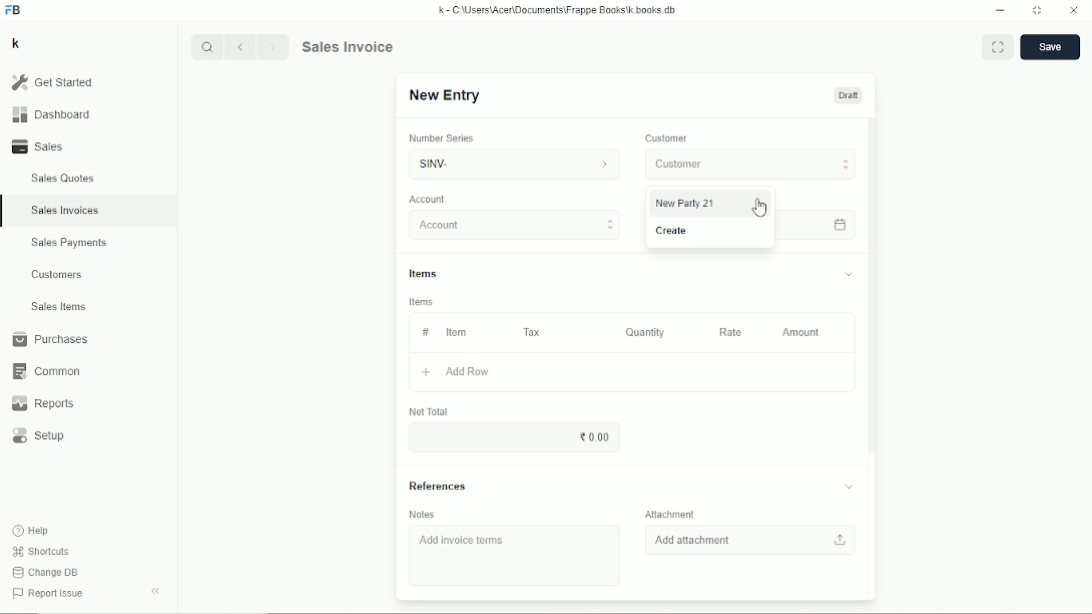 The image size is (1092, 614). What do you see at coordinates (275, 45) in the screenshot?
I see `Forward` at bounding box center [275, 45].